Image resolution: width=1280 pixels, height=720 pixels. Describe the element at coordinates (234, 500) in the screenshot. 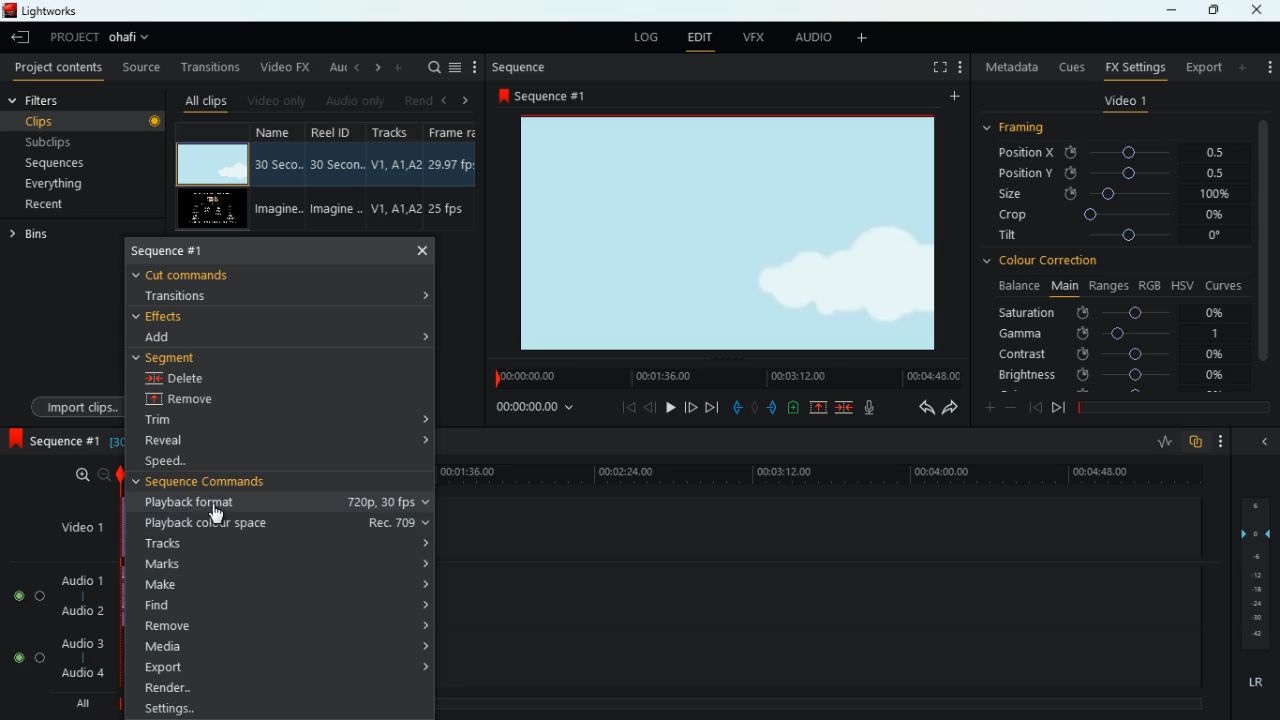

I see `playback format` at that location.